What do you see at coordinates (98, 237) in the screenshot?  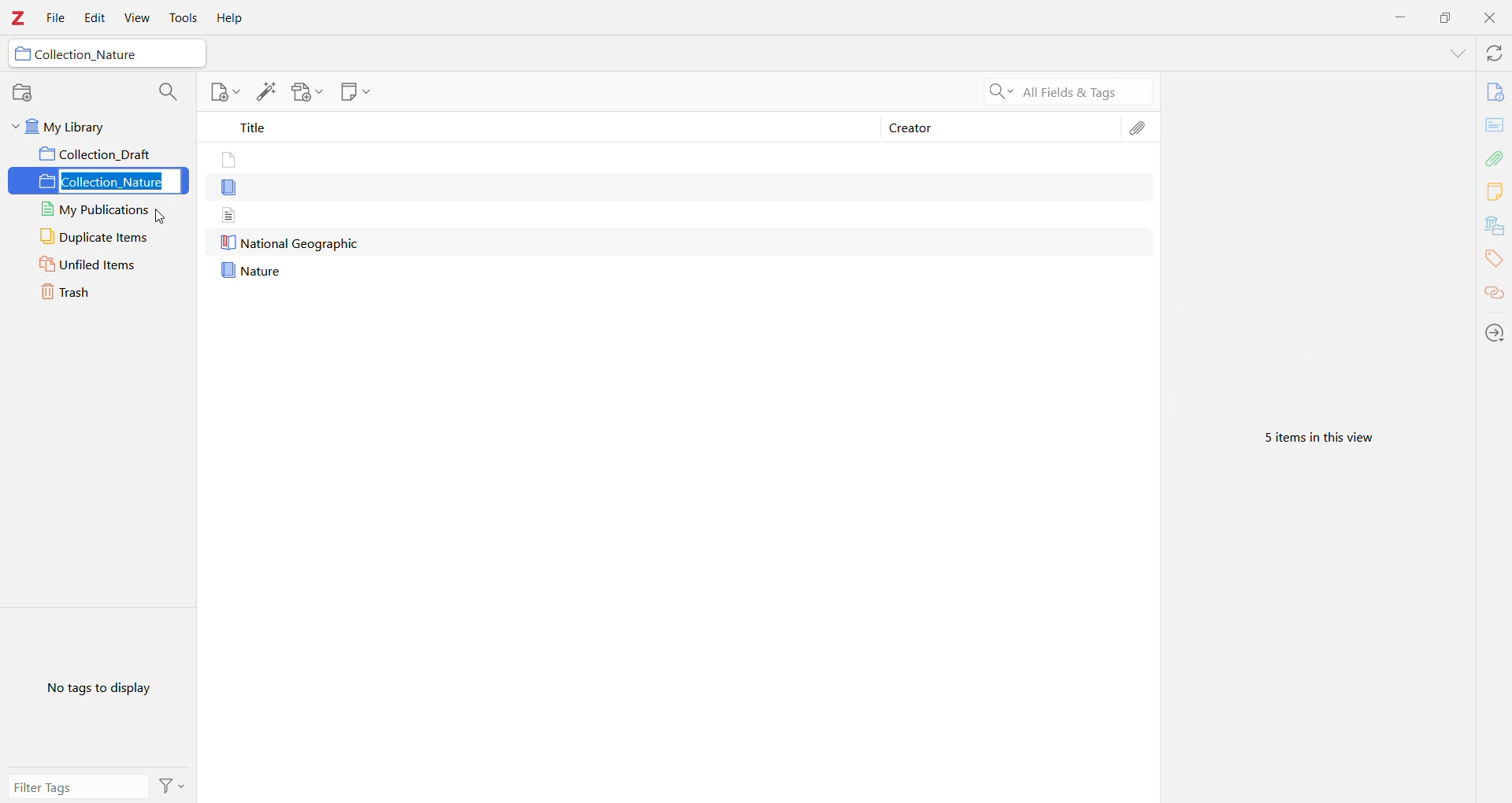 I see `Duplicate Items` at bounding box center [98, 237].